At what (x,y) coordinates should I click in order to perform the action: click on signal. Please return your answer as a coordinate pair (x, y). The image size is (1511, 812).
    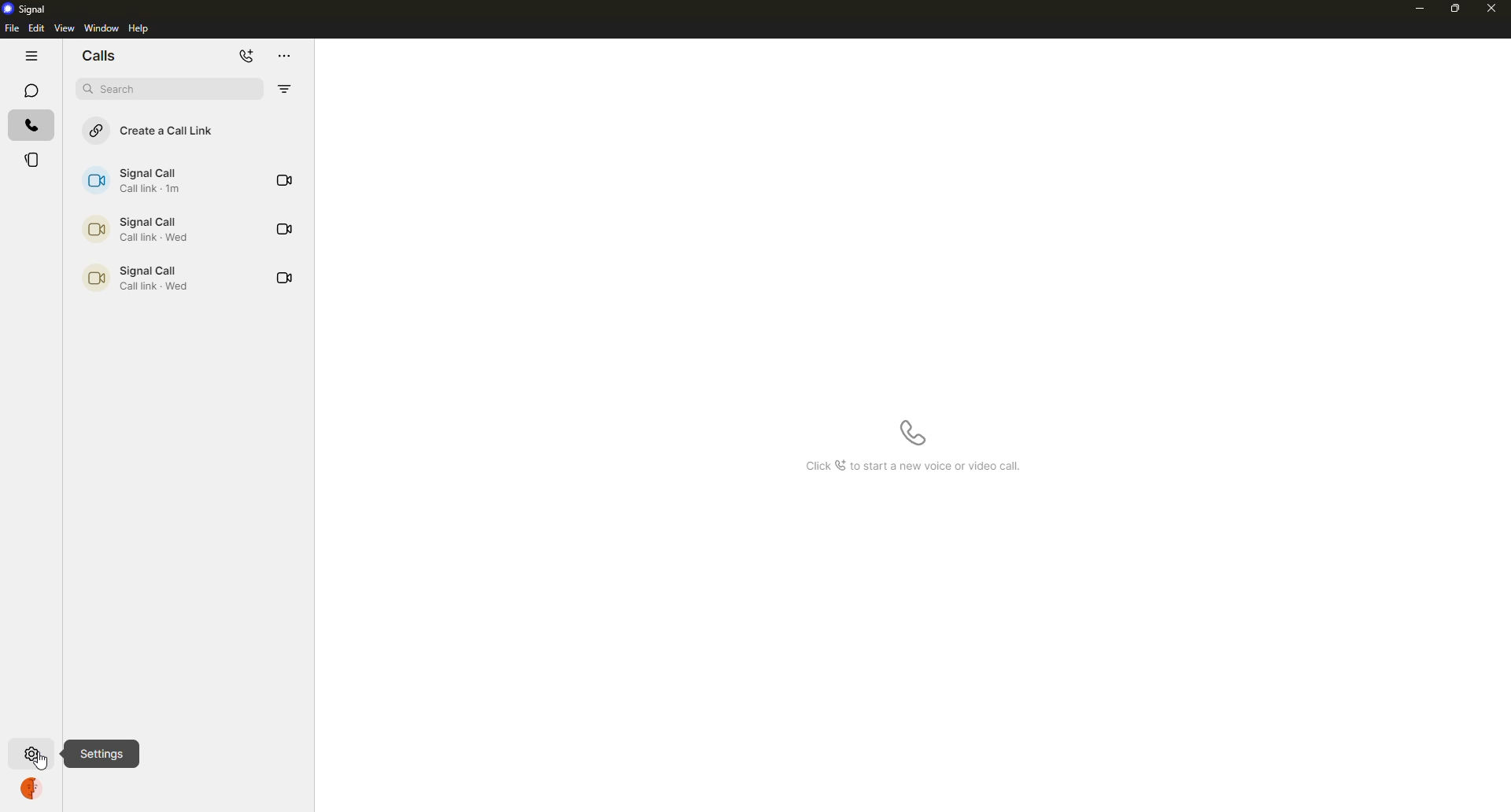
    Looking at the image, I should click on (28, 9).